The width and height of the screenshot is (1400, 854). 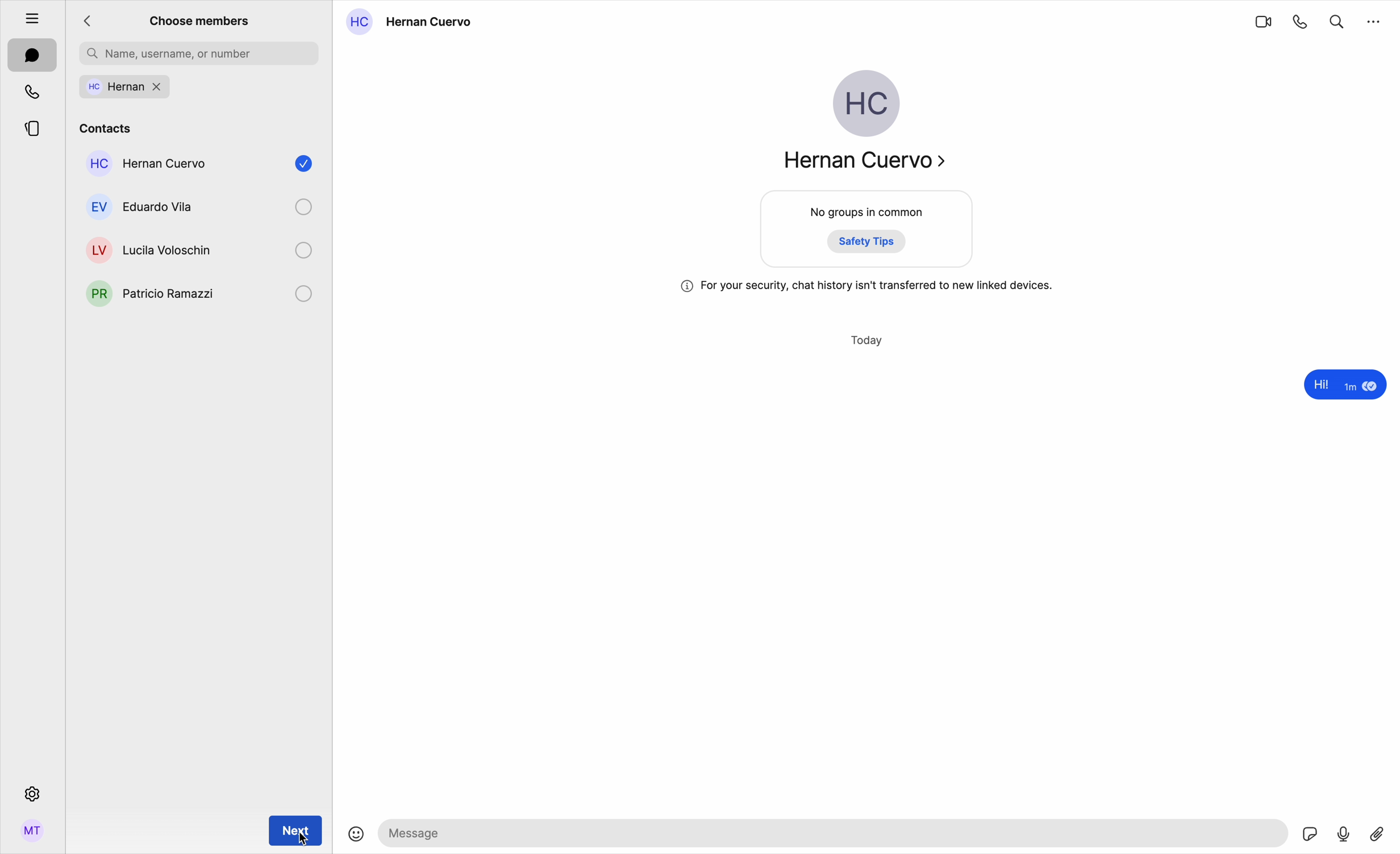 What do you see at coordinates (199, 88) in the screenshot?
I see `hernan` at bounding box center [199, 88].